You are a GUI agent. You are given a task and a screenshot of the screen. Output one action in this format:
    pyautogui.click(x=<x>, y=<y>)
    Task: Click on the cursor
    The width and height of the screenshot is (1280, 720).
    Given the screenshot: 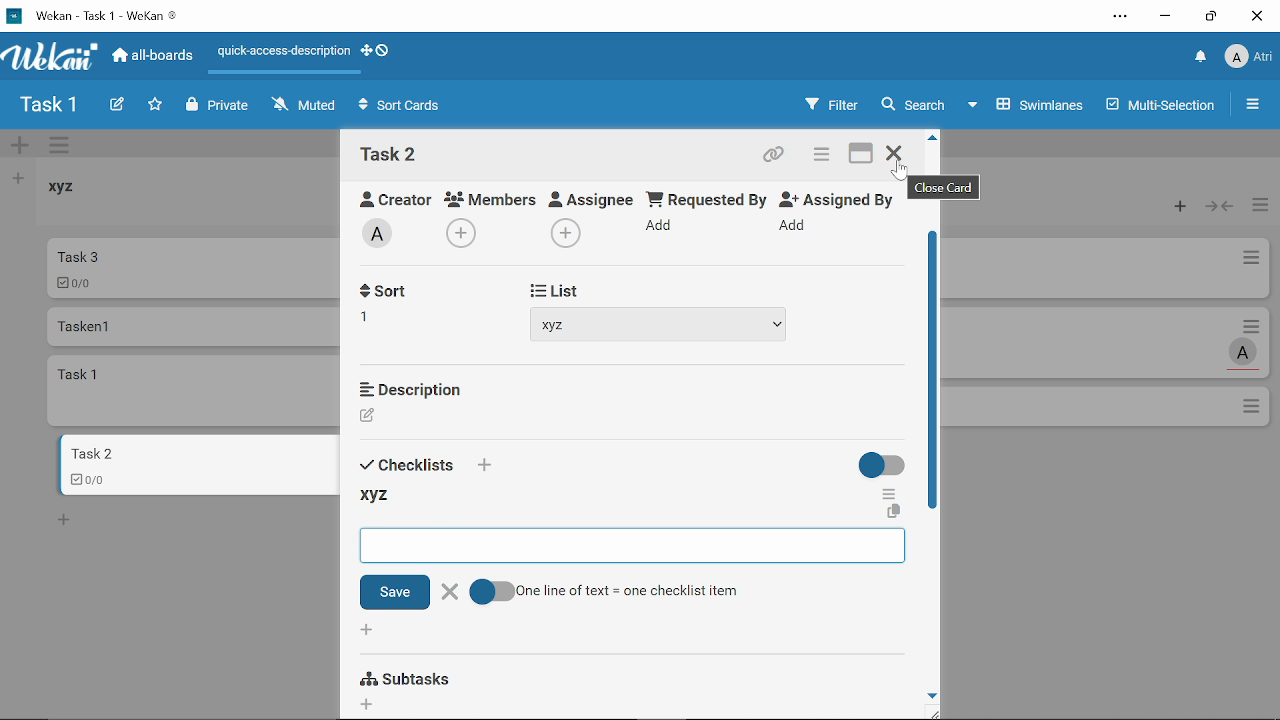 What is the action you would take?
    pyautogui.click(x=899, y=171)
    